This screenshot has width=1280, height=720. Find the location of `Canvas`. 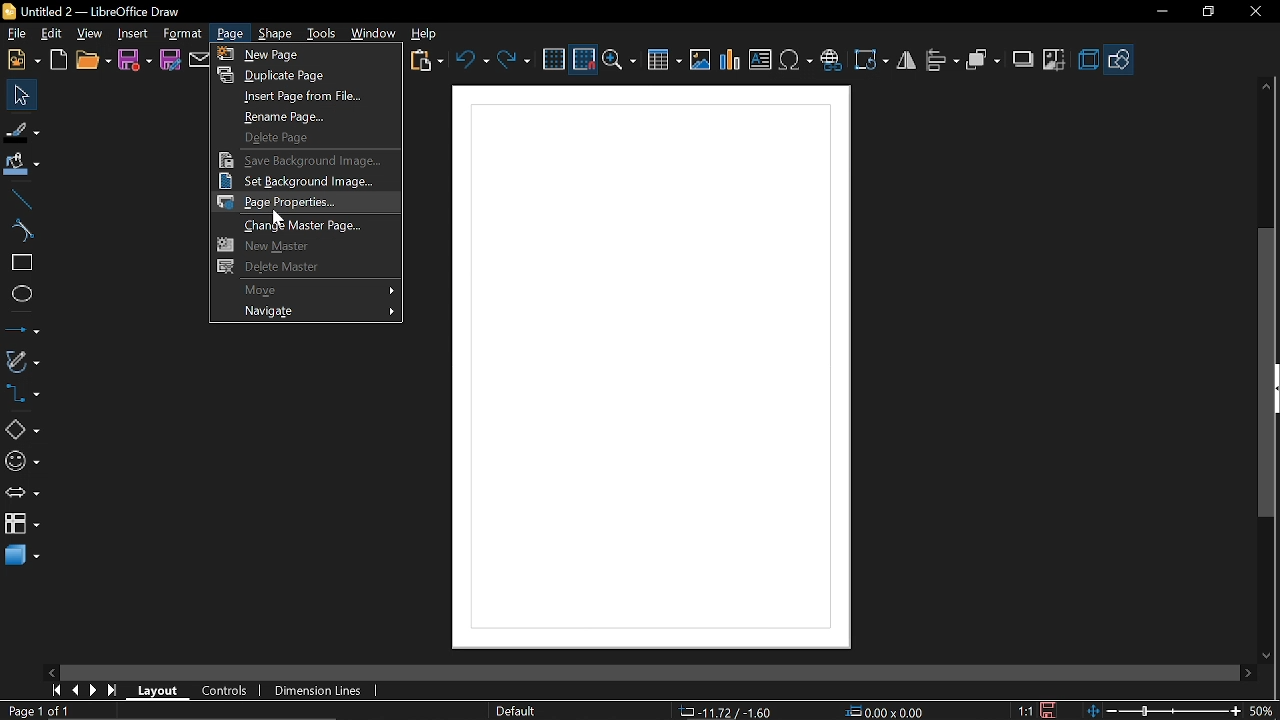

Canvas is located at coordinates (651, 368).